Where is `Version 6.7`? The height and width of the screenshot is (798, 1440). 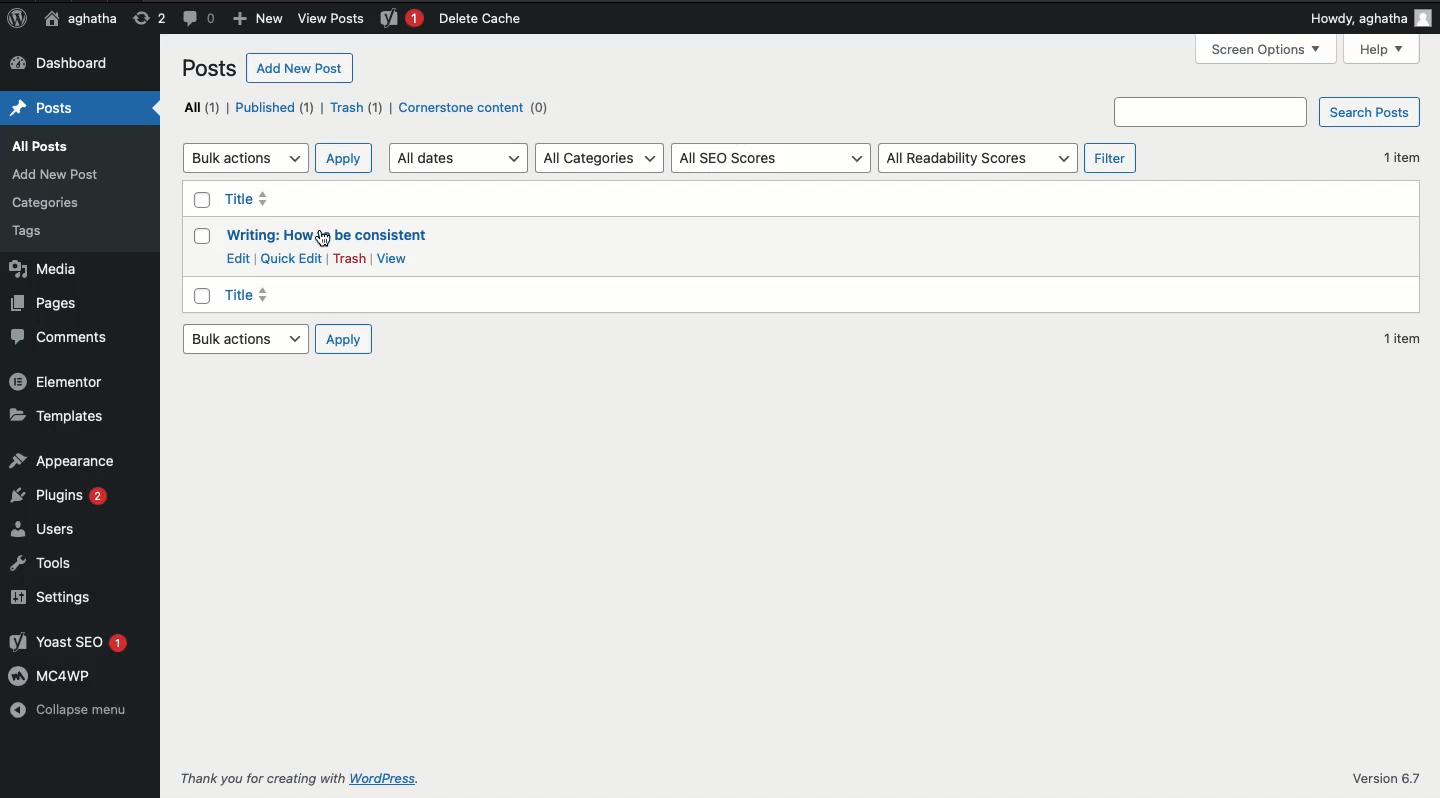
Version 6.7 is located at coordinates (1387, 778).